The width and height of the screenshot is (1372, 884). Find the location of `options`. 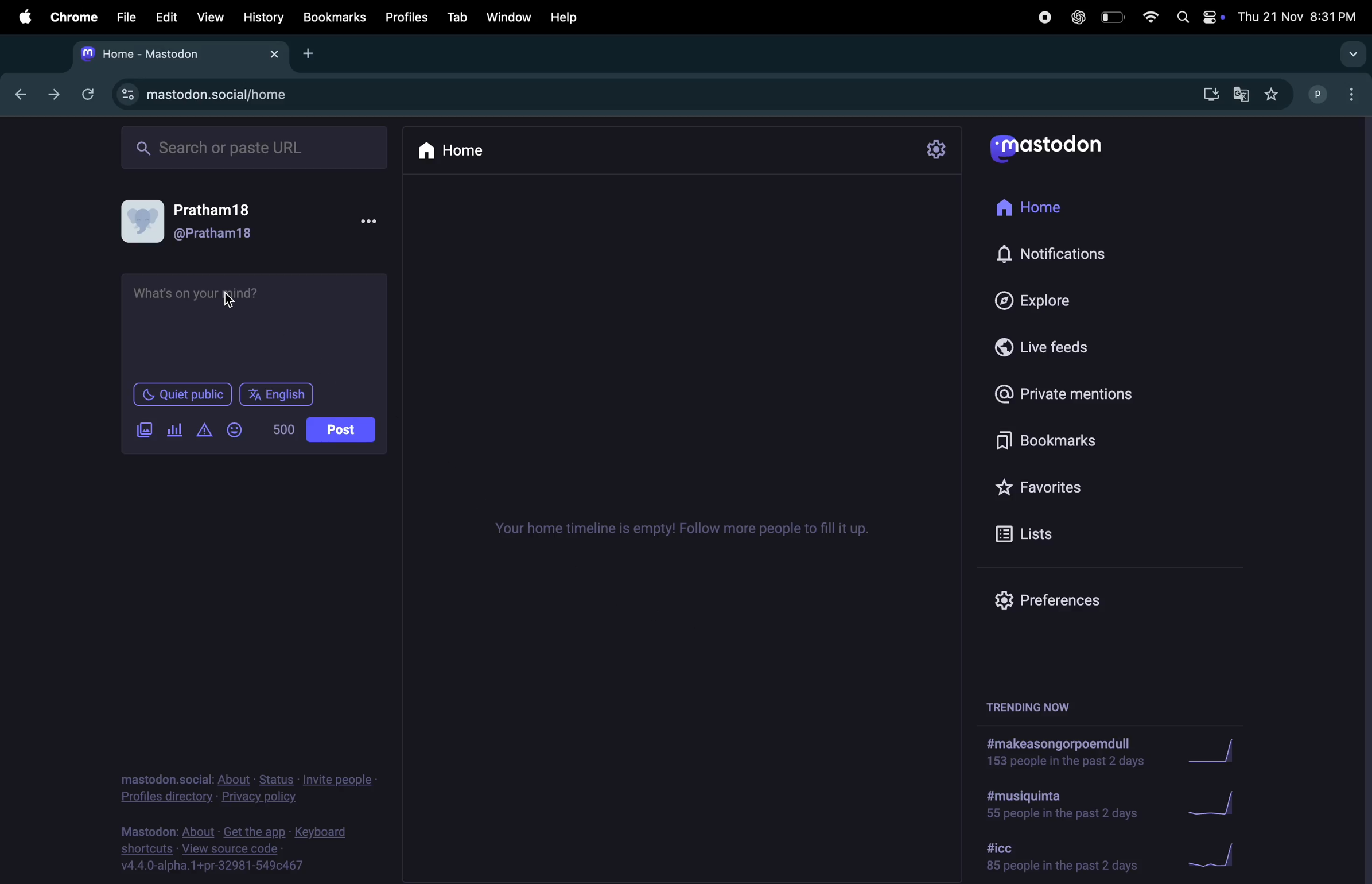

options is located at coordinates (1356, 95).